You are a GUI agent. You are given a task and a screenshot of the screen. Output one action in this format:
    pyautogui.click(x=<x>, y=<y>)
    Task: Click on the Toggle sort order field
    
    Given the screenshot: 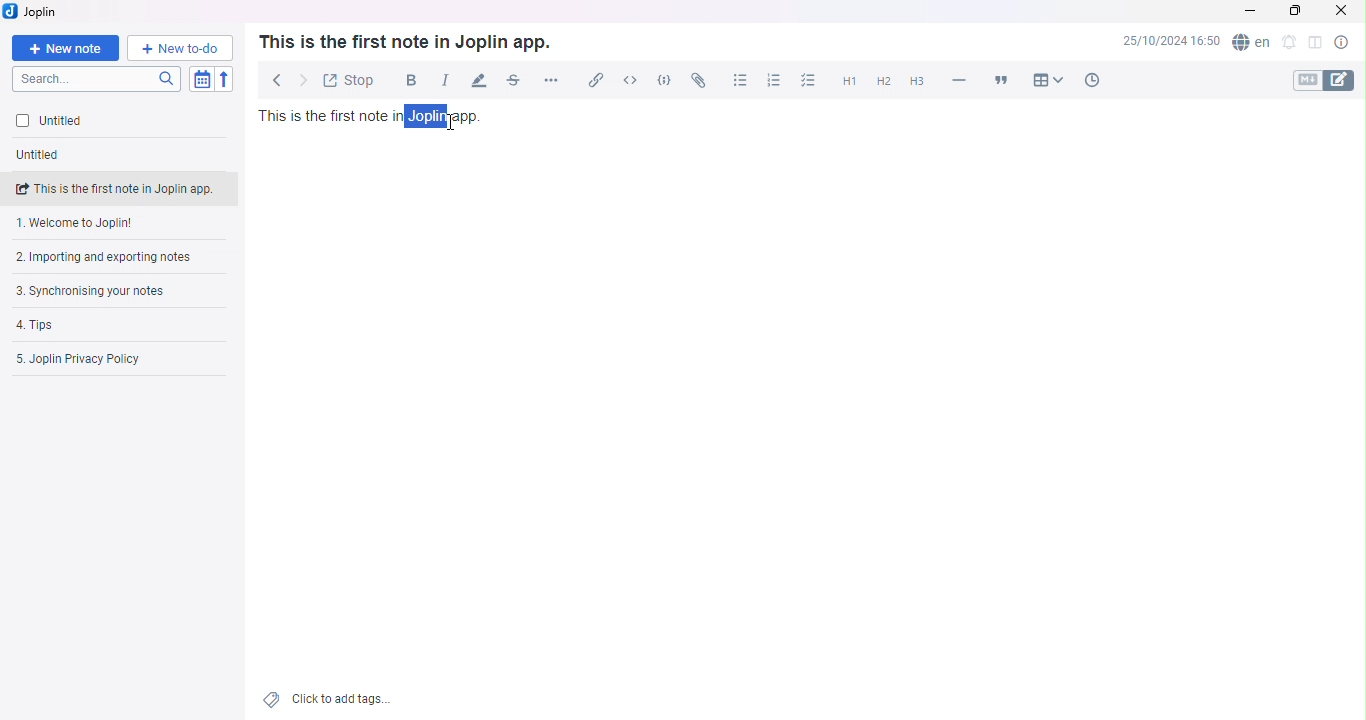 What is the action you would take?
    pyautogui.click(x=204, y=79)
    